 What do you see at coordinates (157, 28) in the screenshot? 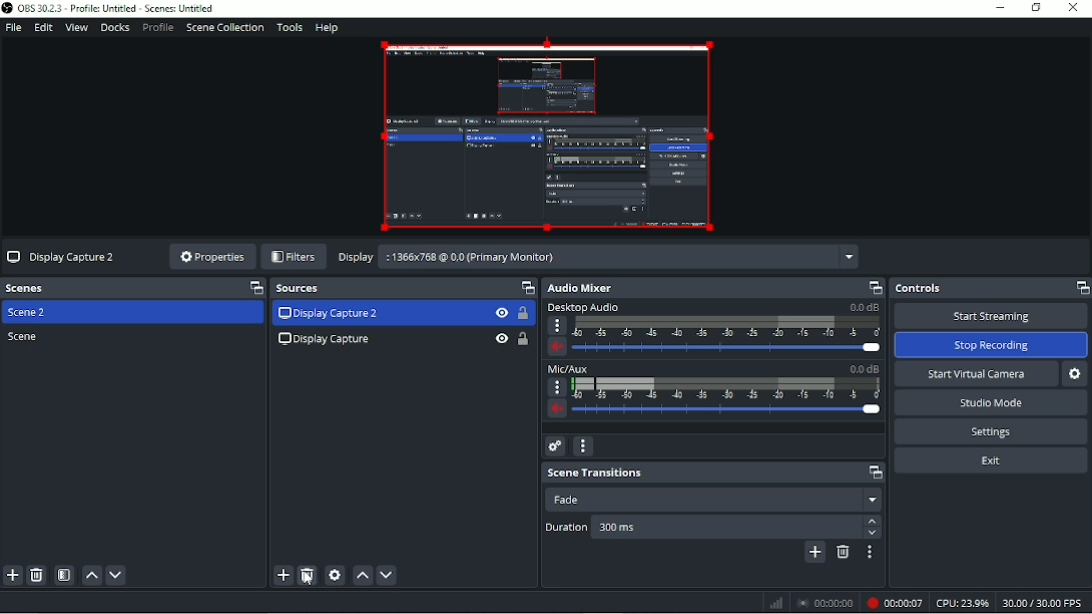
I see `Profile` at bounding box center [157, 28].